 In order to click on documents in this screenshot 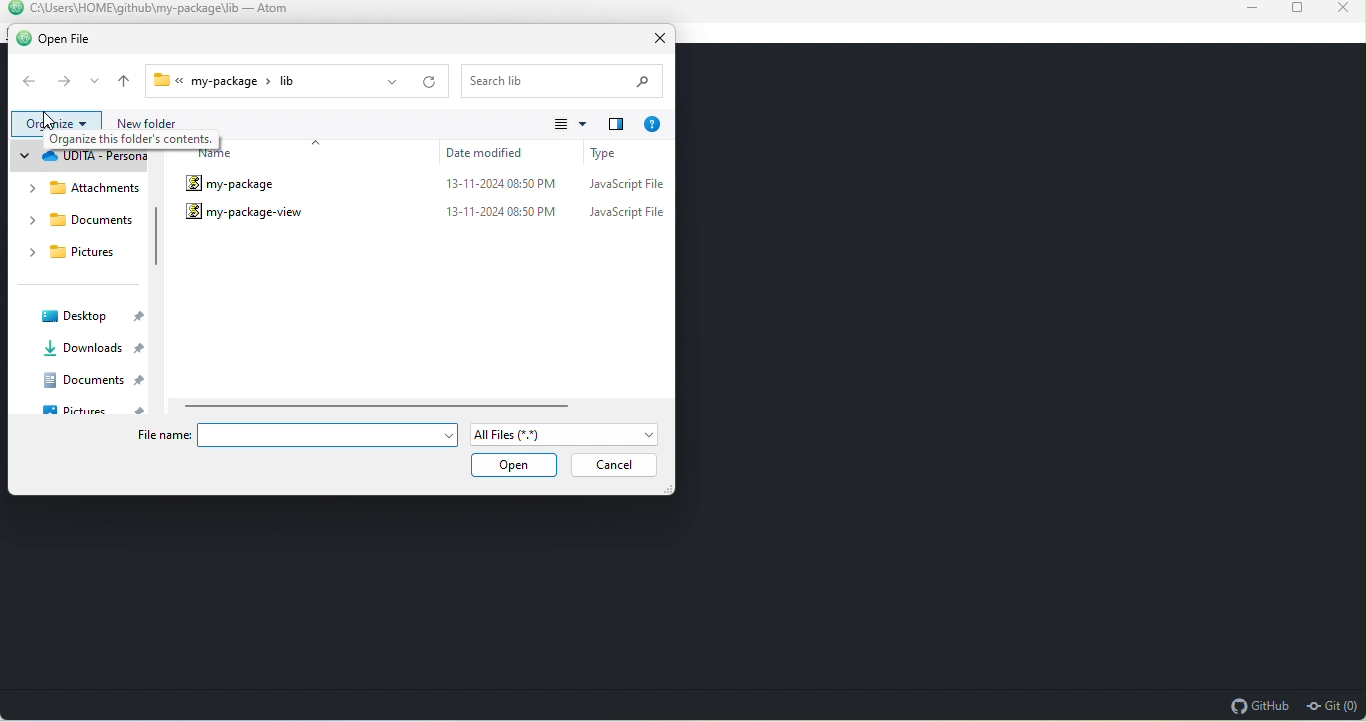, I will do `click(88, 379)`.